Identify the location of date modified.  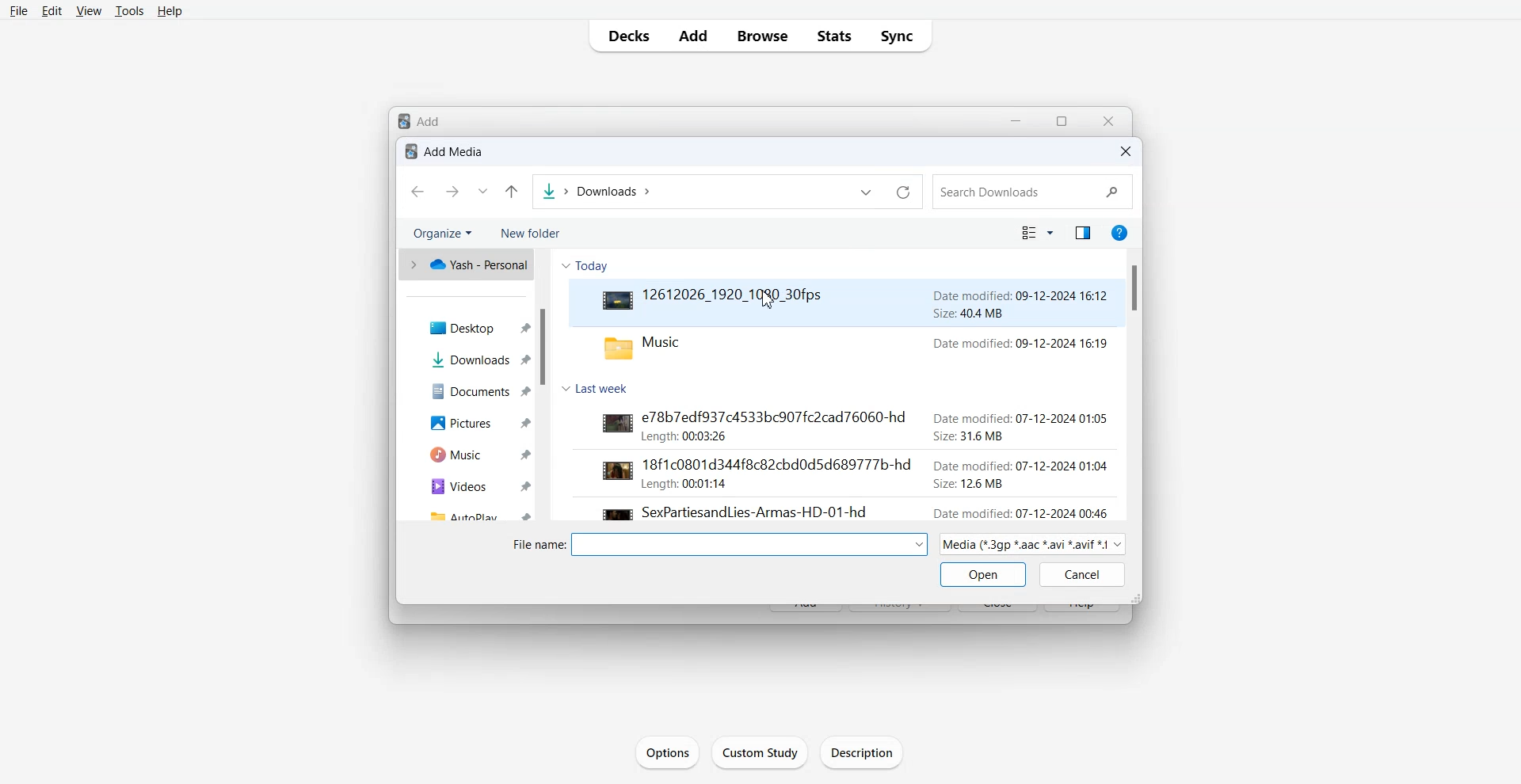
(1024, 512).